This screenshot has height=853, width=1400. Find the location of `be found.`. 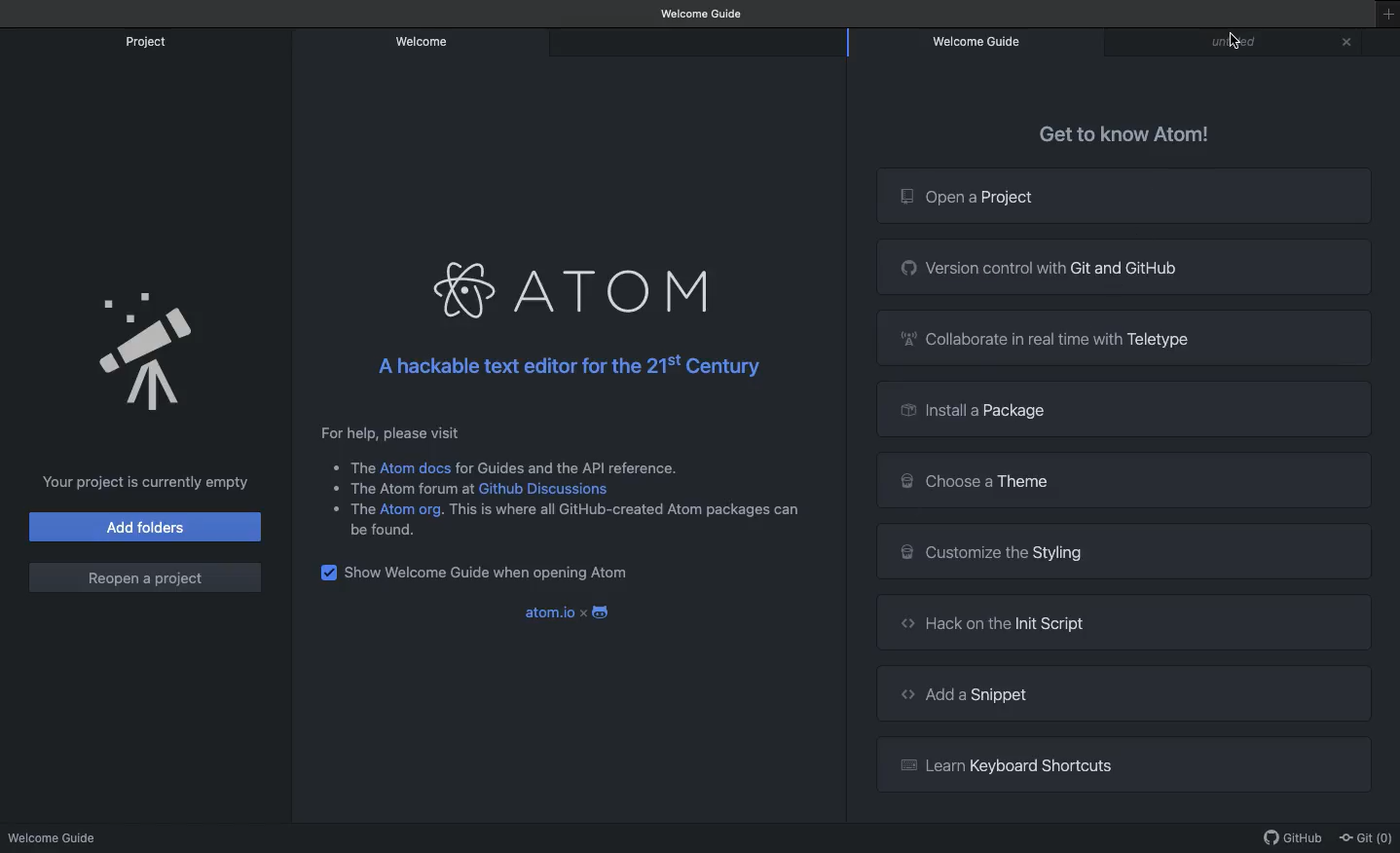

be found. is located at coordinates (380, 531).